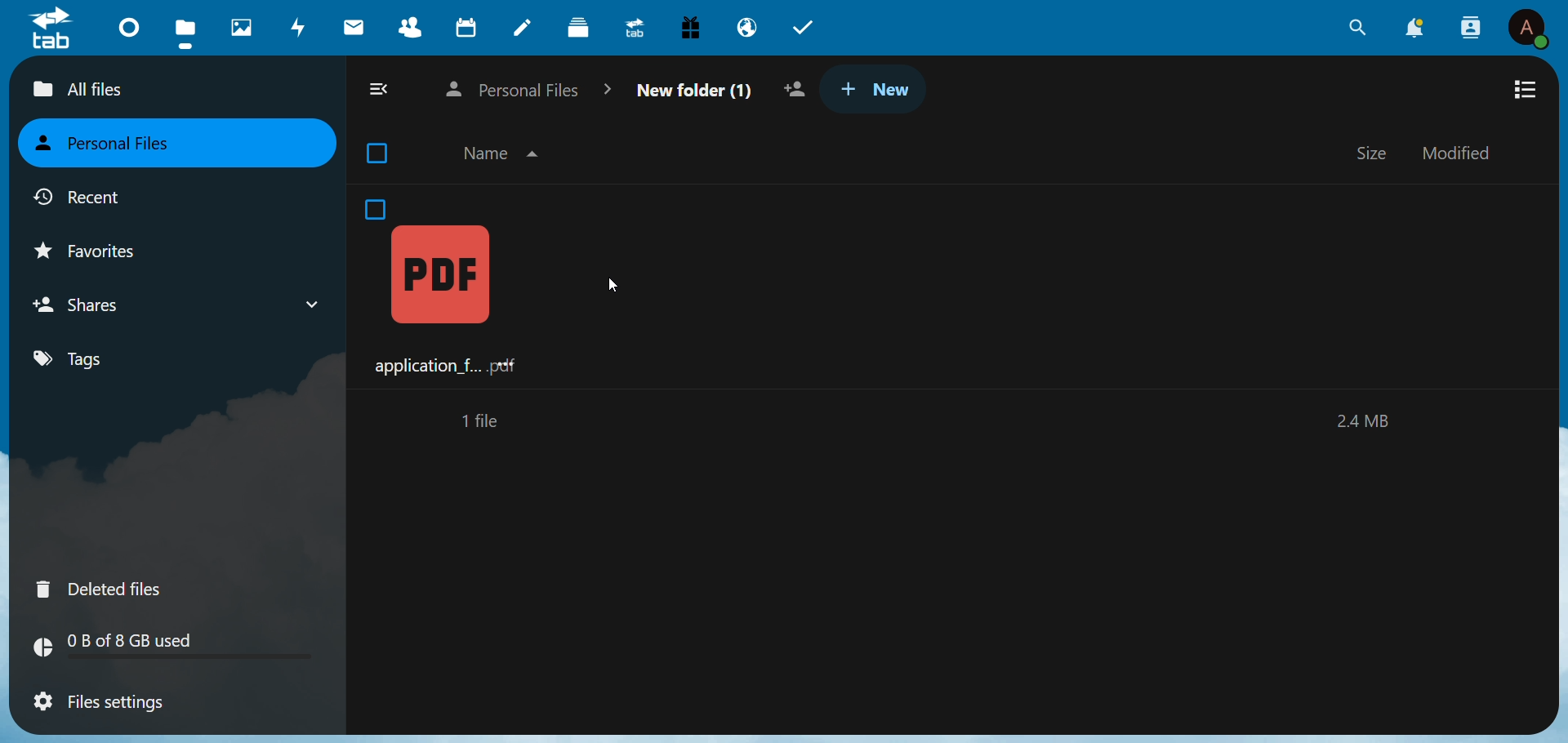 The height and width of the screenshot is (743, 1568). I want to click on email, so click(746, 29).